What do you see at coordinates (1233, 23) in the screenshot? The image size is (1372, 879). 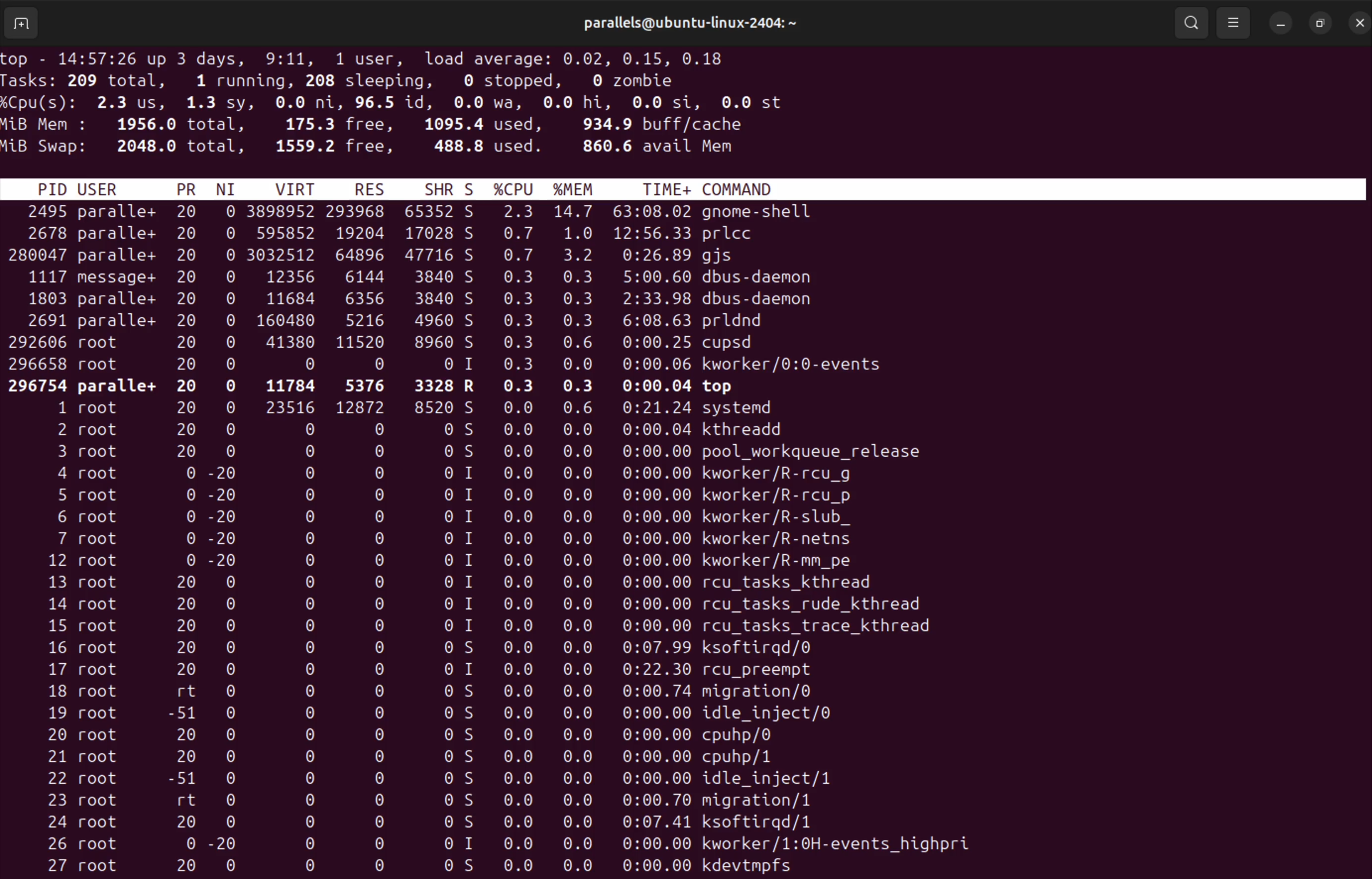 I see `viewing mode` at bounding box center [1233, 23].